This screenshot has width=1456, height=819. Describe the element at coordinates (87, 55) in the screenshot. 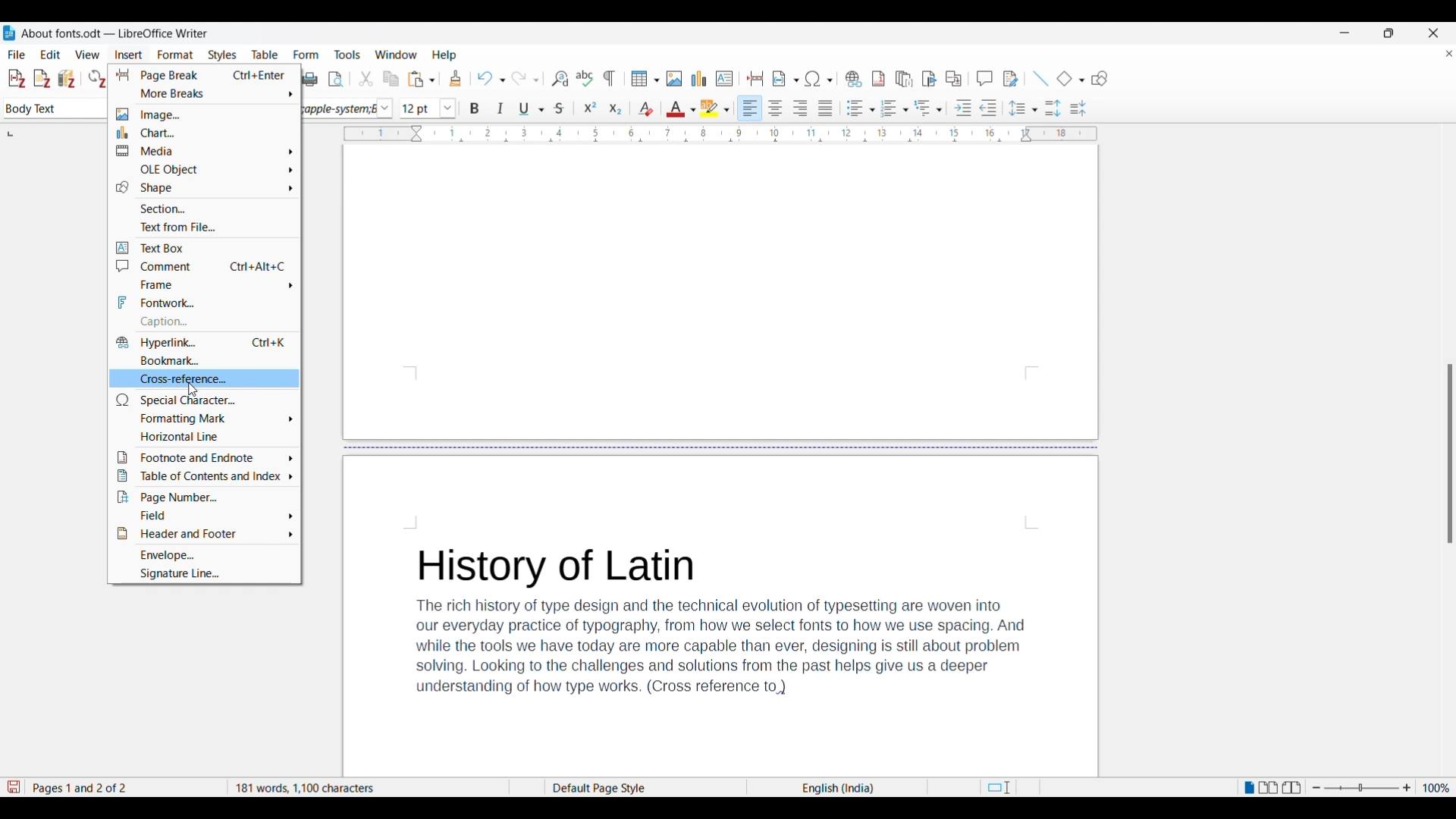

I see `View menu` at that location.